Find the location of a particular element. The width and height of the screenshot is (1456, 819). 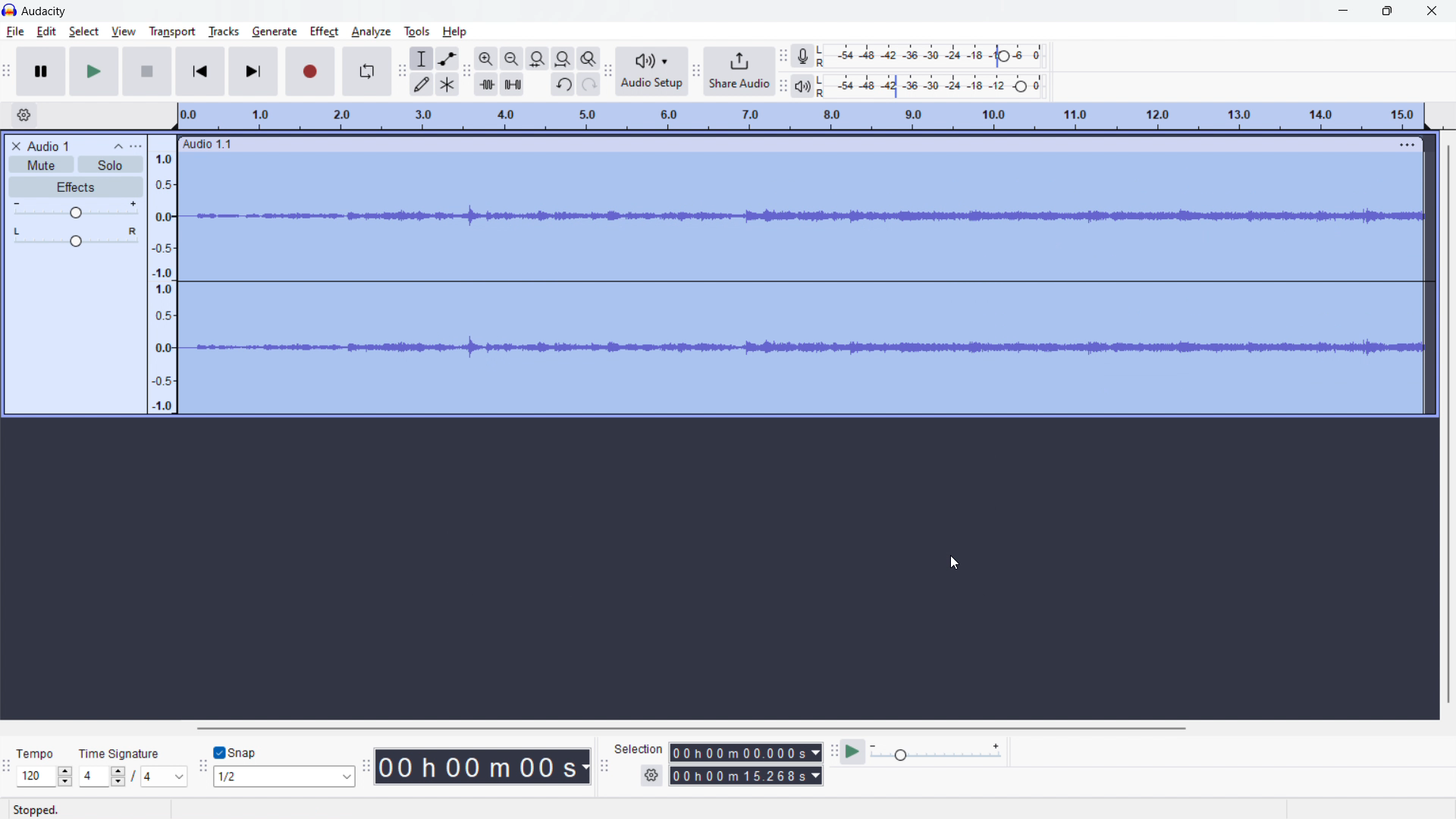

effects is located at coordinates (75, 187).